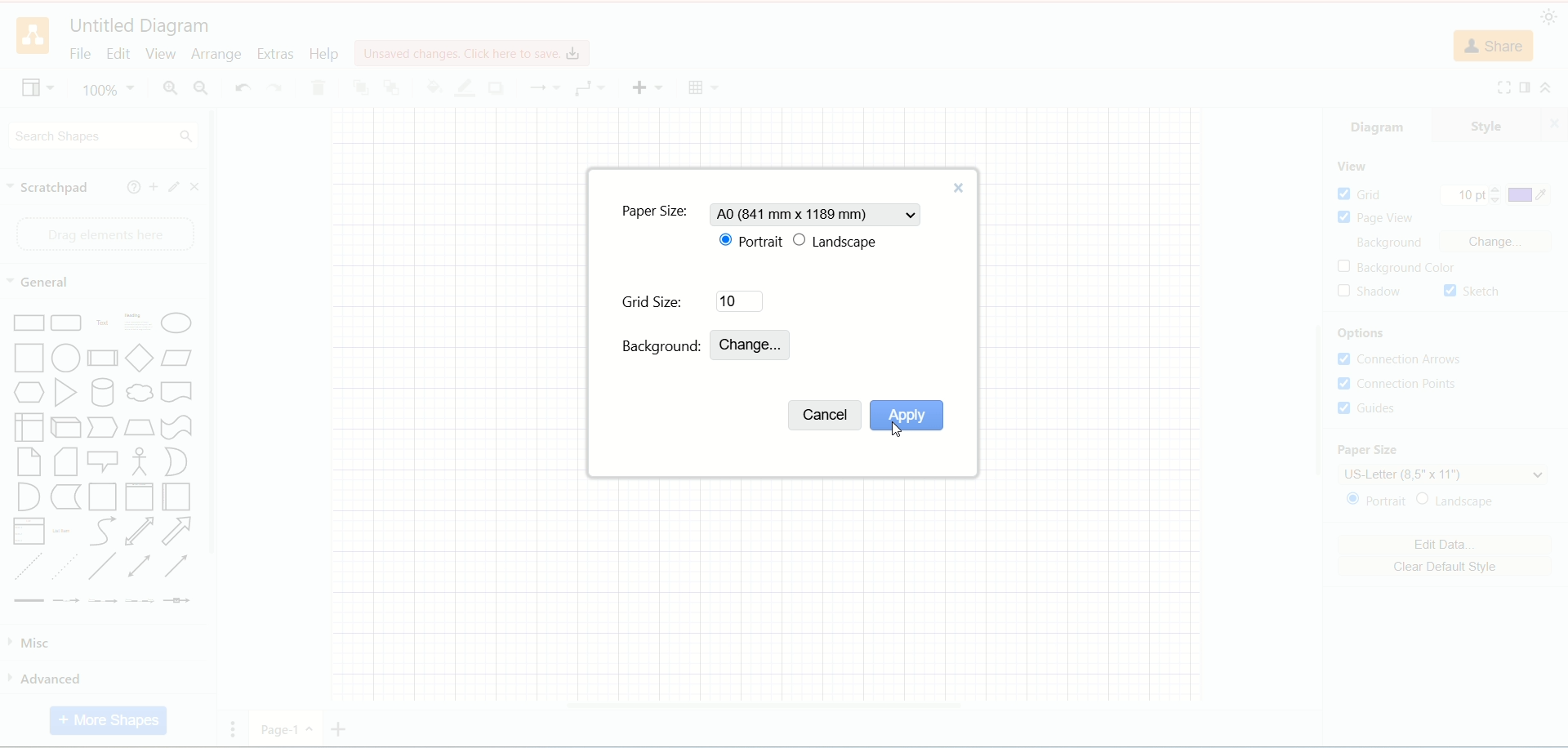  I want to click on style, so click(1501, 124).